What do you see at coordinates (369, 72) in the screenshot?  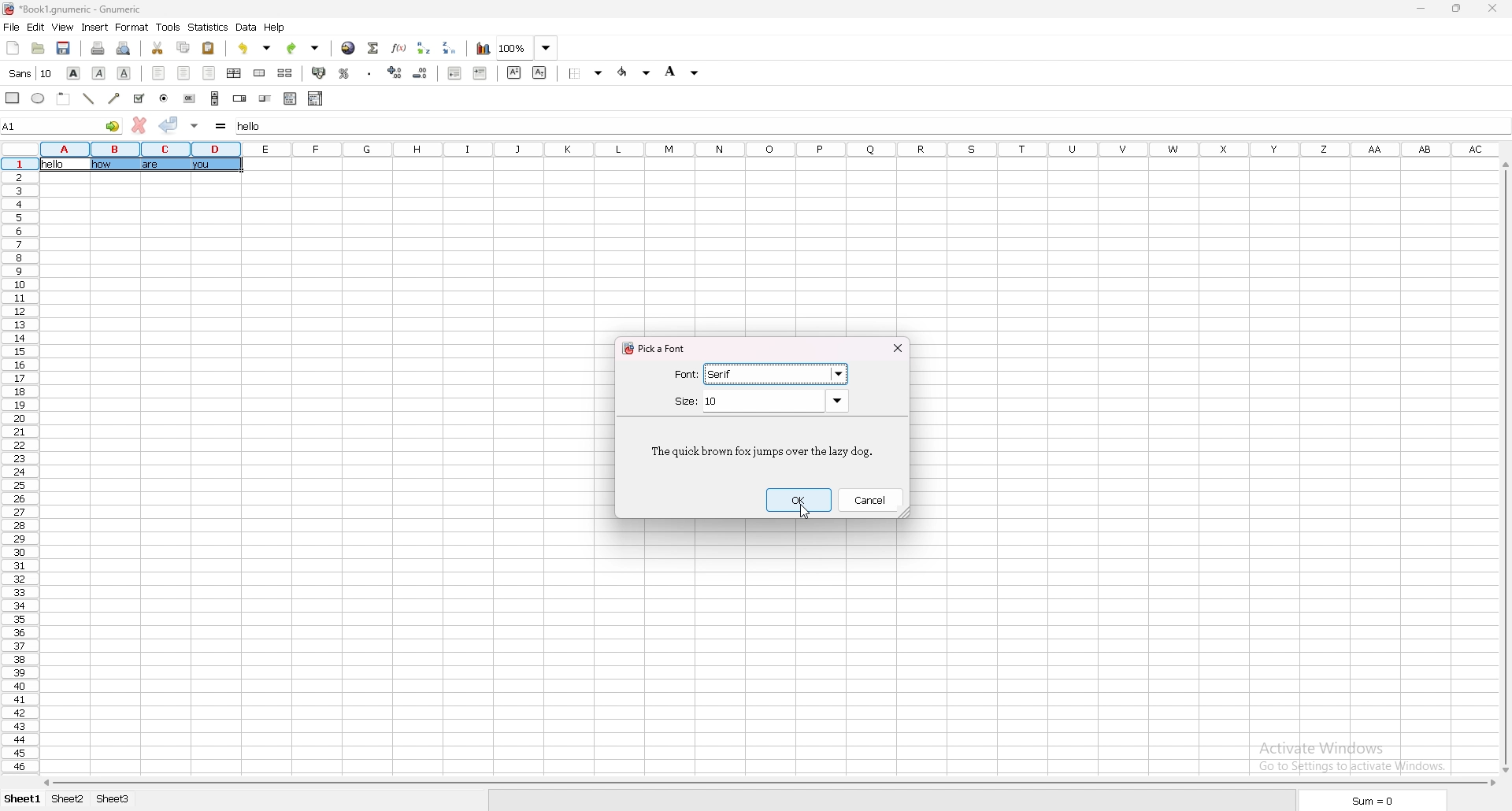 I see `thousand separator` at bounding box center [369, 72].